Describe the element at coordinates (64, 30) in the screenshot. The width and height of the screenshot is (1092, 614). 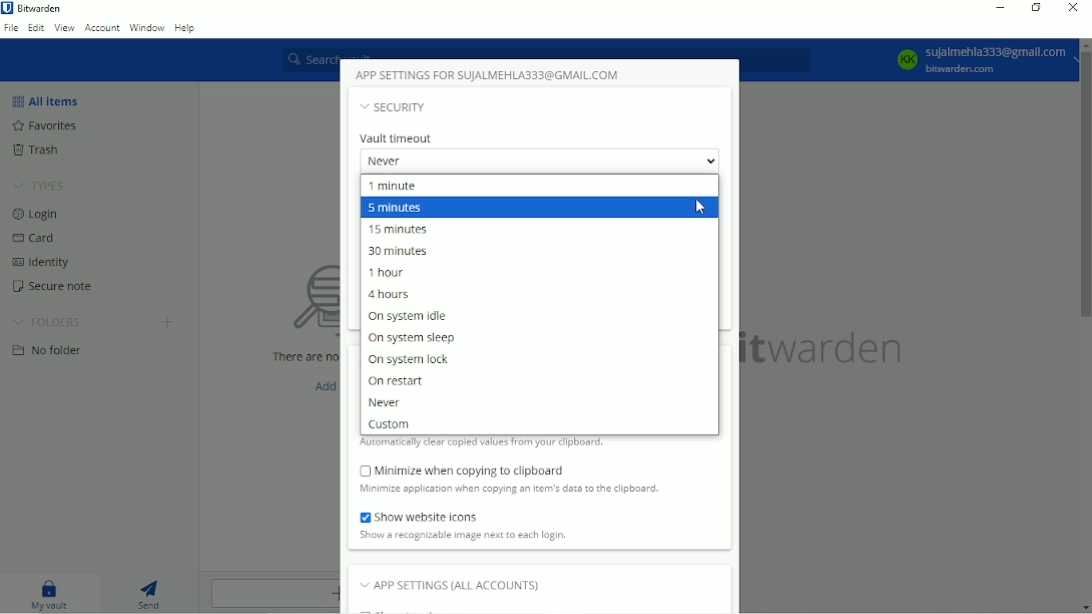
I see `View` at that location.